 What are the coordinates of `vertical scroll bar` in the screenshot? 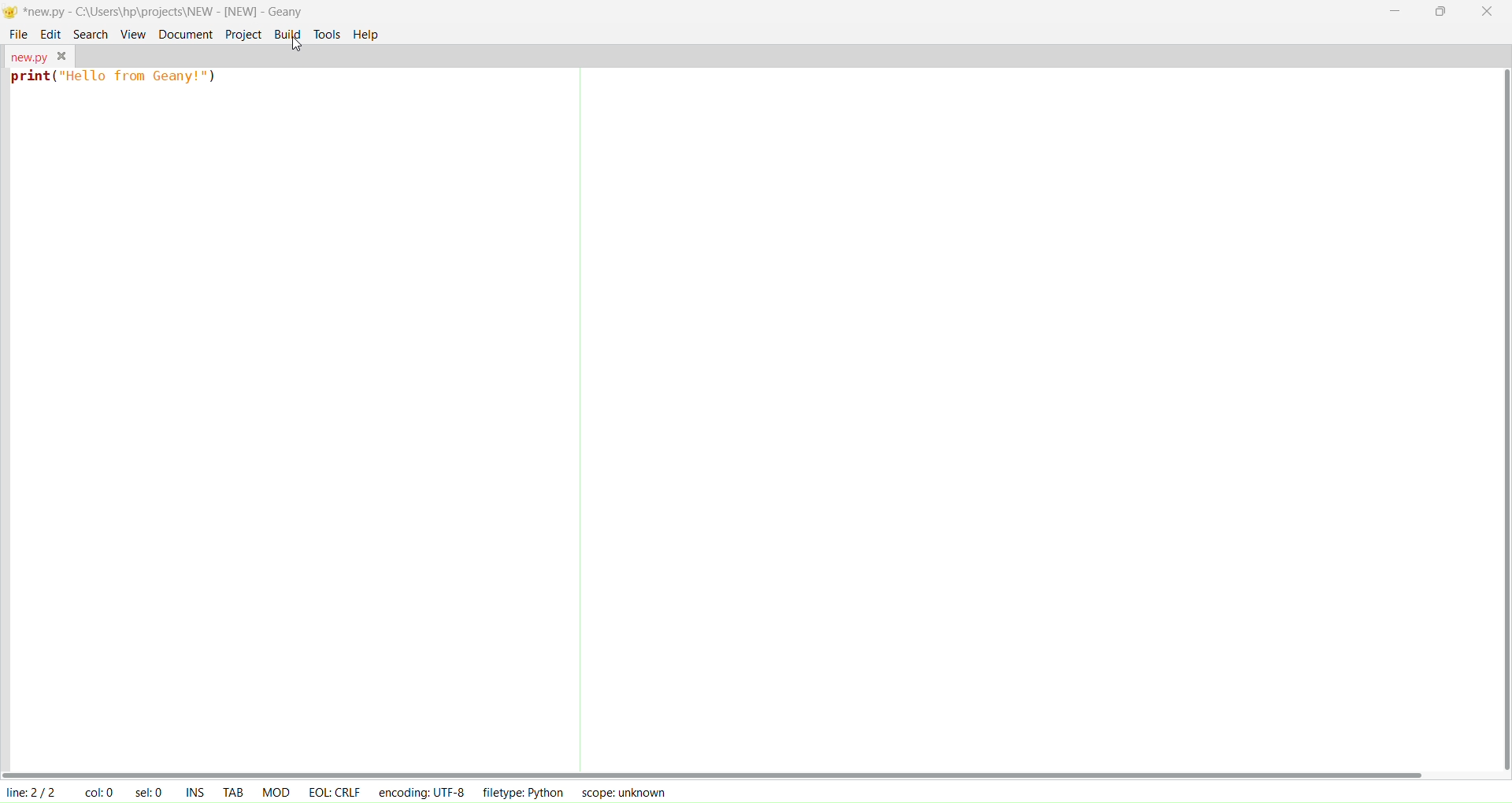 It's located at (1502, 420).